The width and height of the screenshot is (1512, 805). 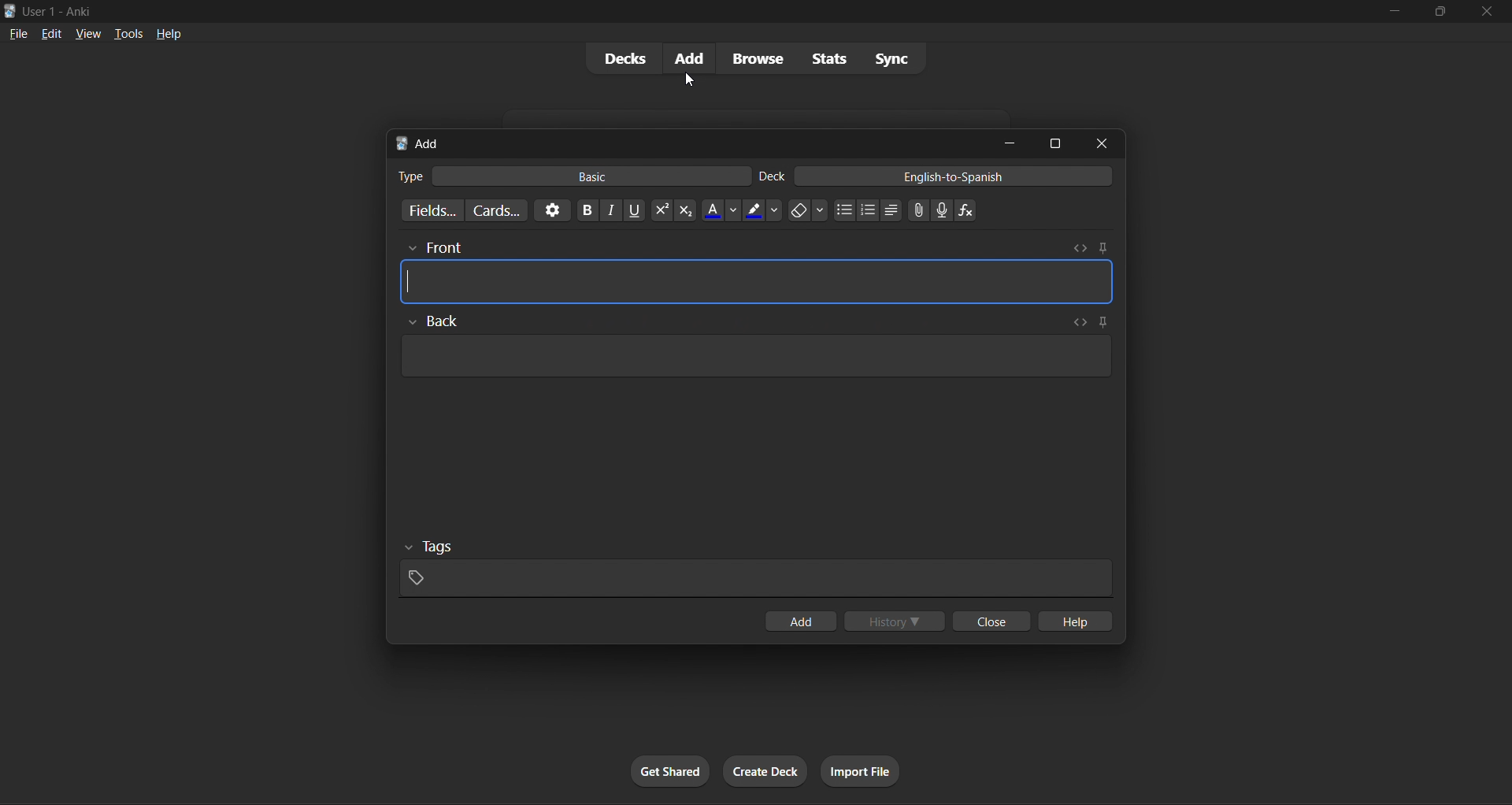 I want to click on decks, so click(x=623, y=58).